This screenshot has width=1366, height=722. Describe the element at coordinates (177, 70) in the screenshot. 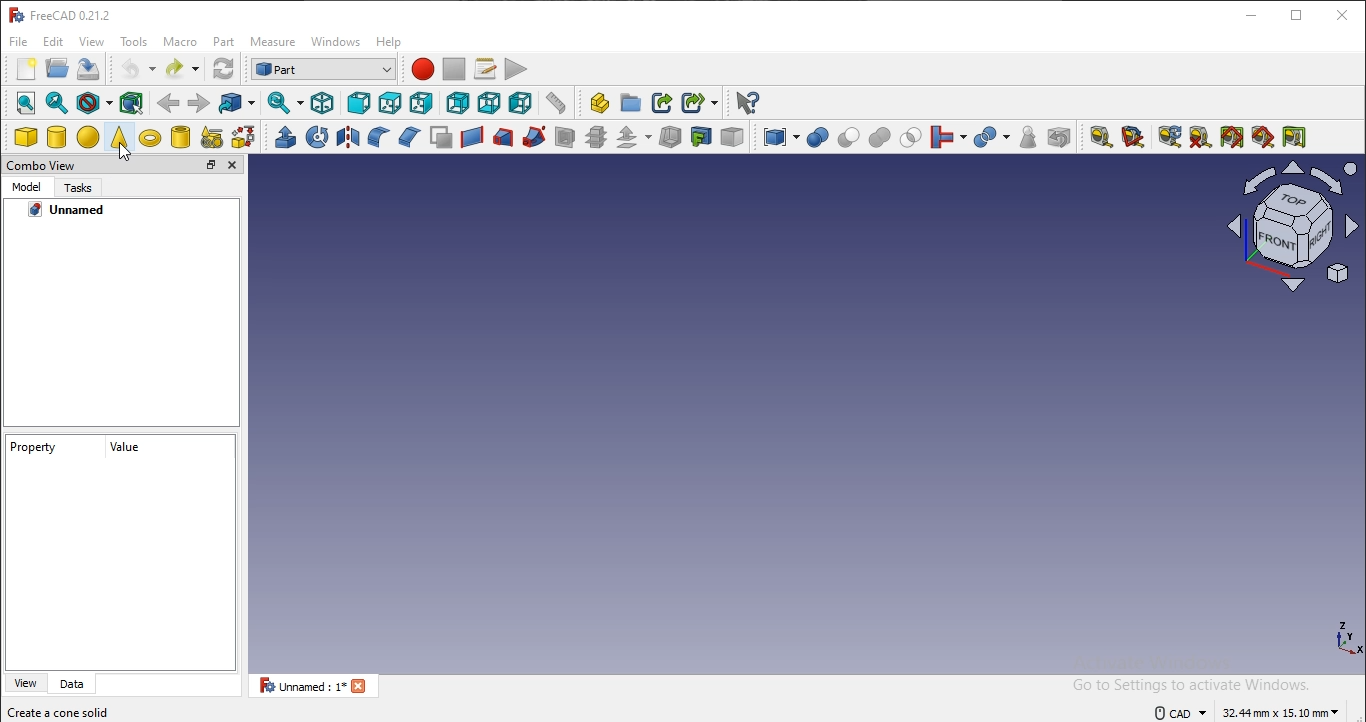

I see `redo` at that location.